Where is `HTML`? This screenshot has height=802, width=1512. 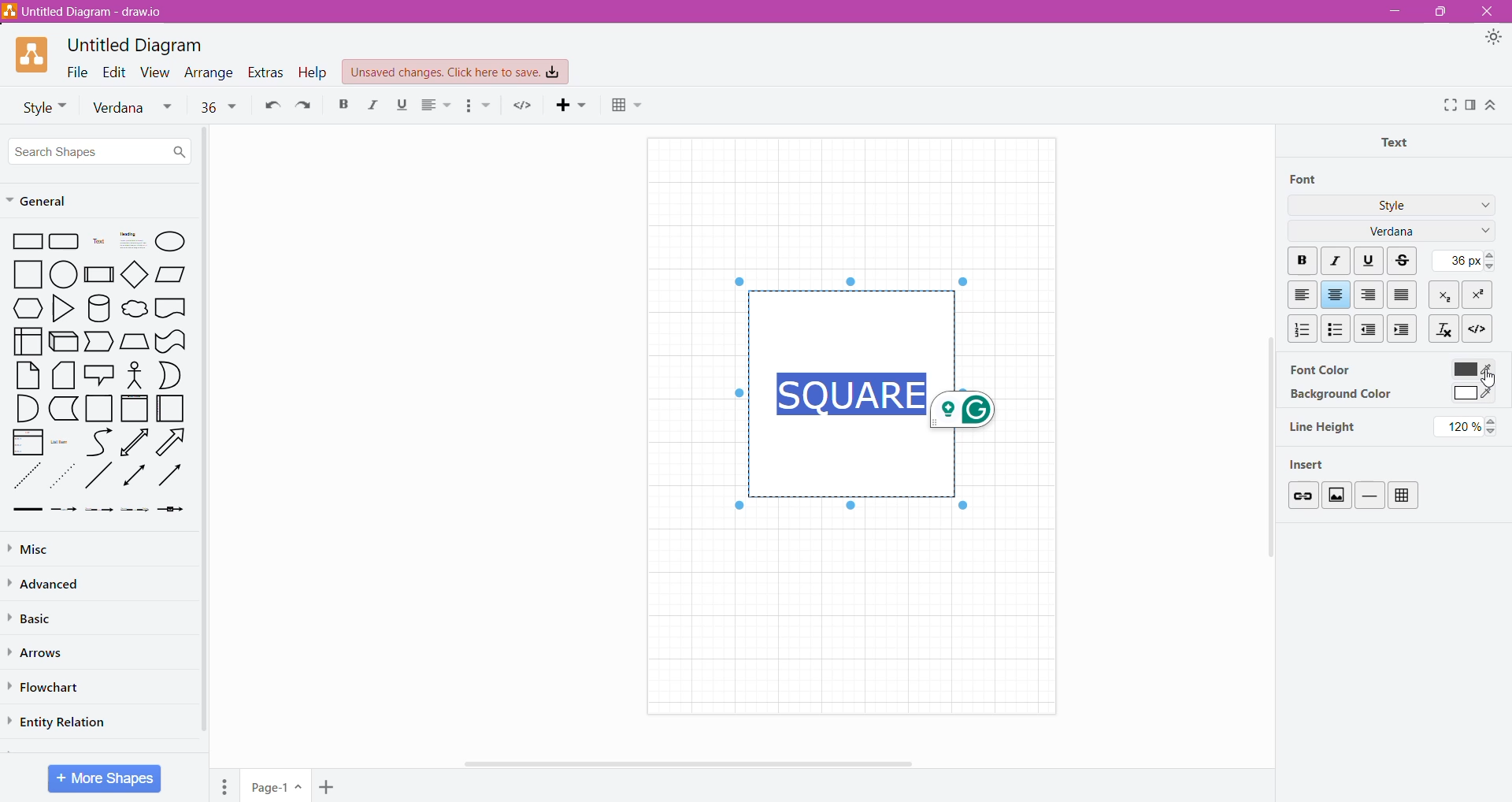 HTML is located at coordinates (523, 105).